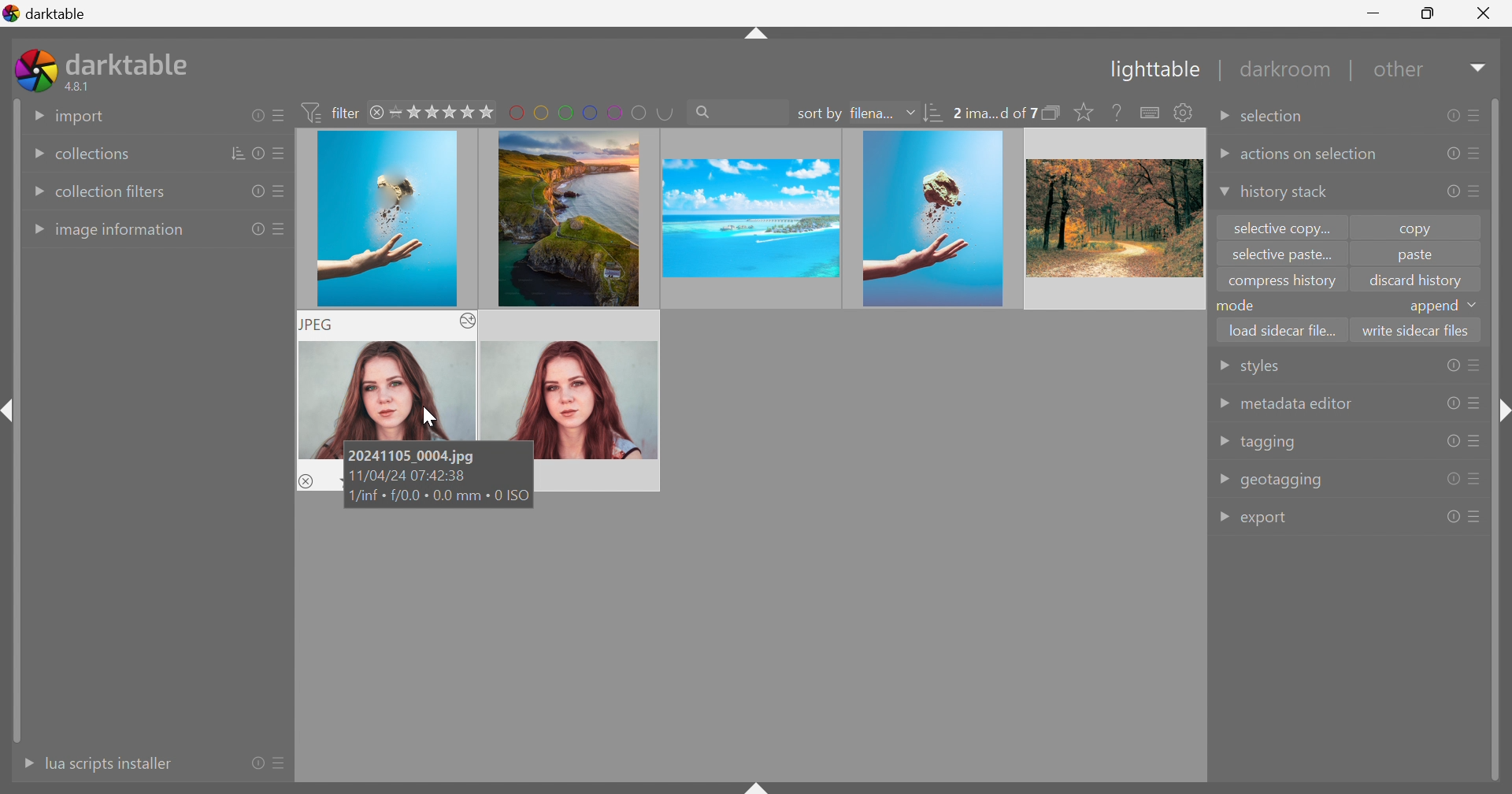  Describe the element at coordinates (910, 112) in the screenshot. I see `Drop Down` at that location.